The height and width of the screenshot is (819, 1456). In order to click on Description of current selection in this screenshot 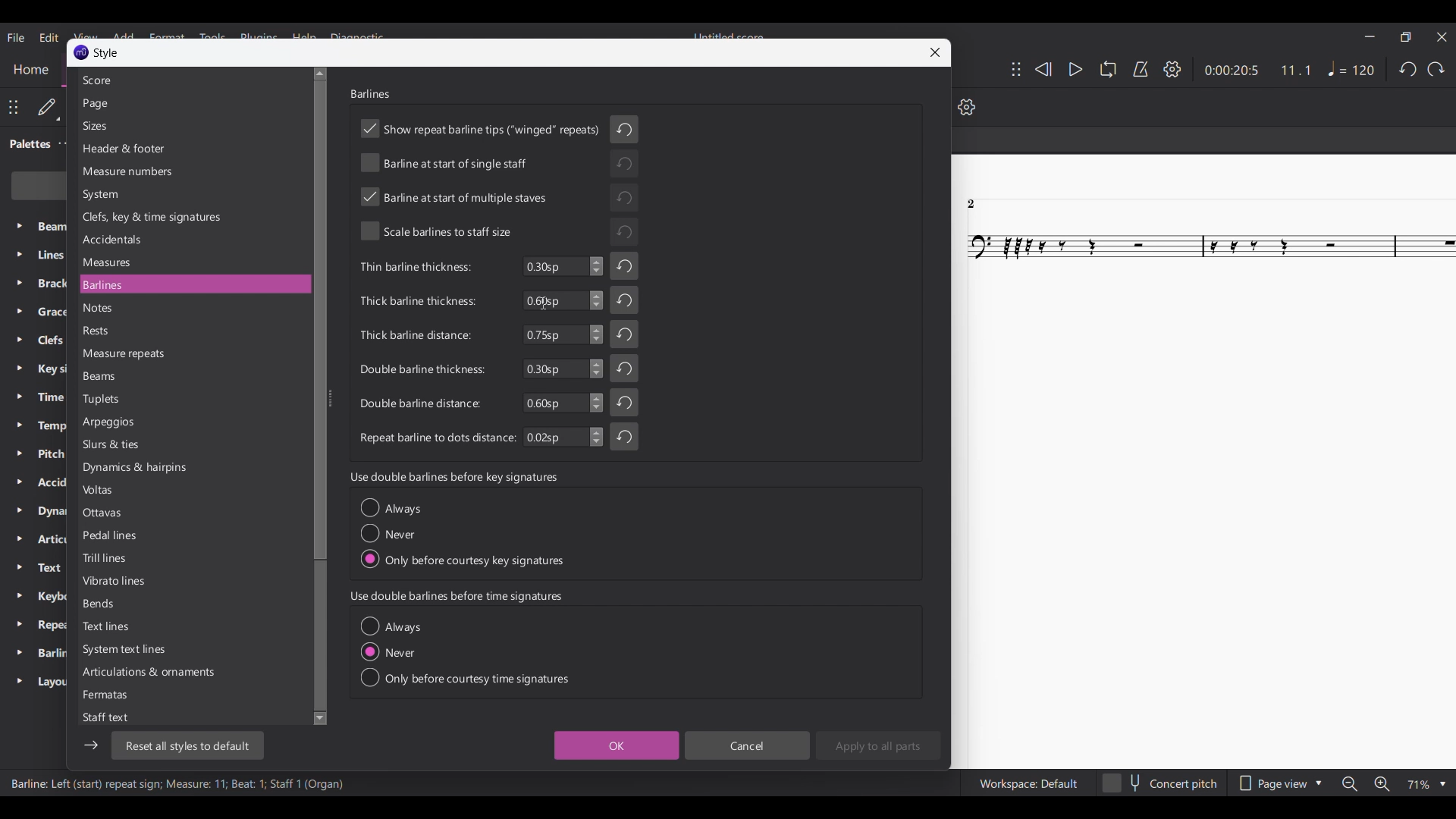, I will do `click(178, 783)`.